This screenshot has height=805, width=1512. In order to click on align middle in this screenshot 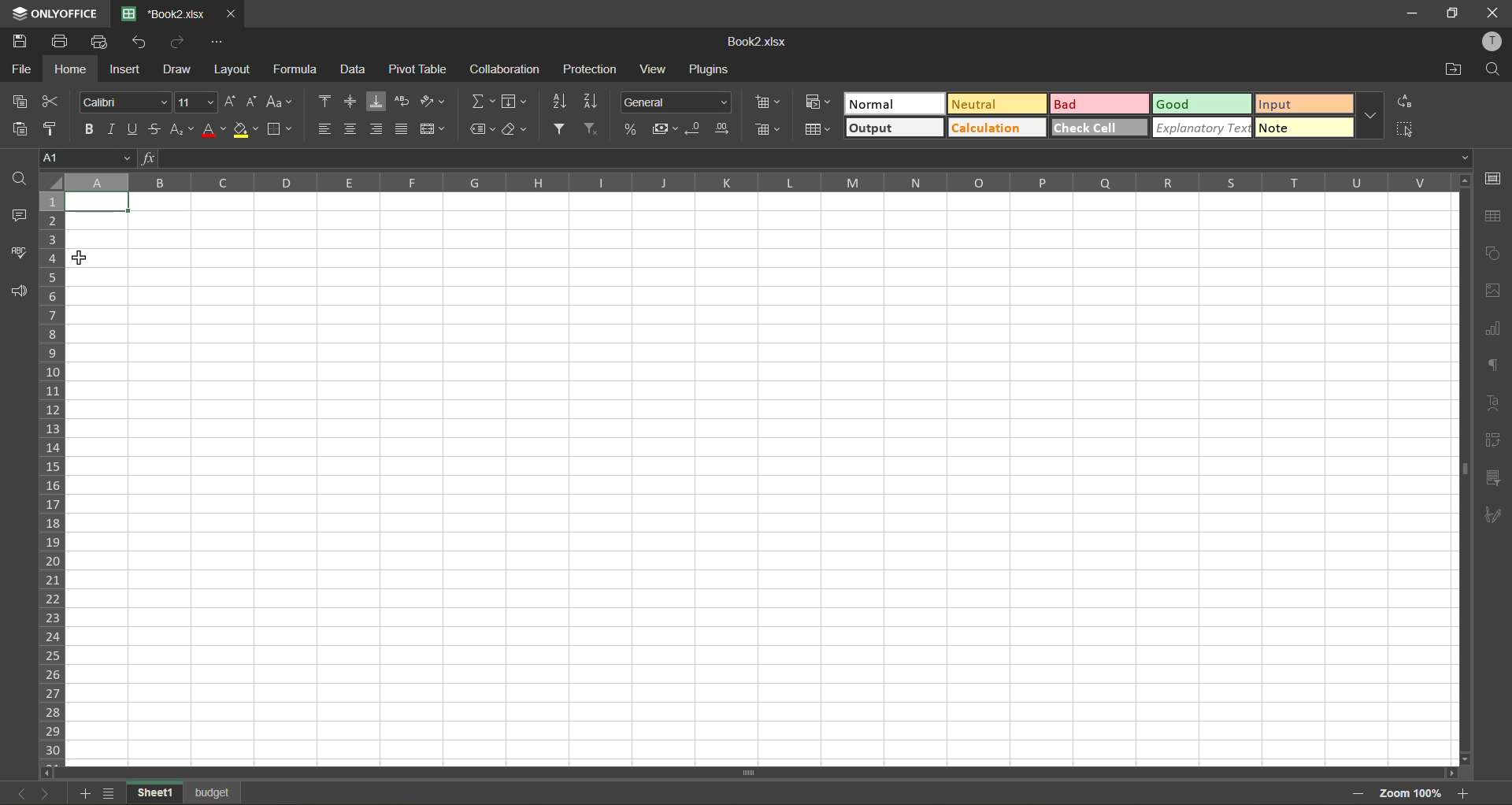, I will do `click(354, 102)`.